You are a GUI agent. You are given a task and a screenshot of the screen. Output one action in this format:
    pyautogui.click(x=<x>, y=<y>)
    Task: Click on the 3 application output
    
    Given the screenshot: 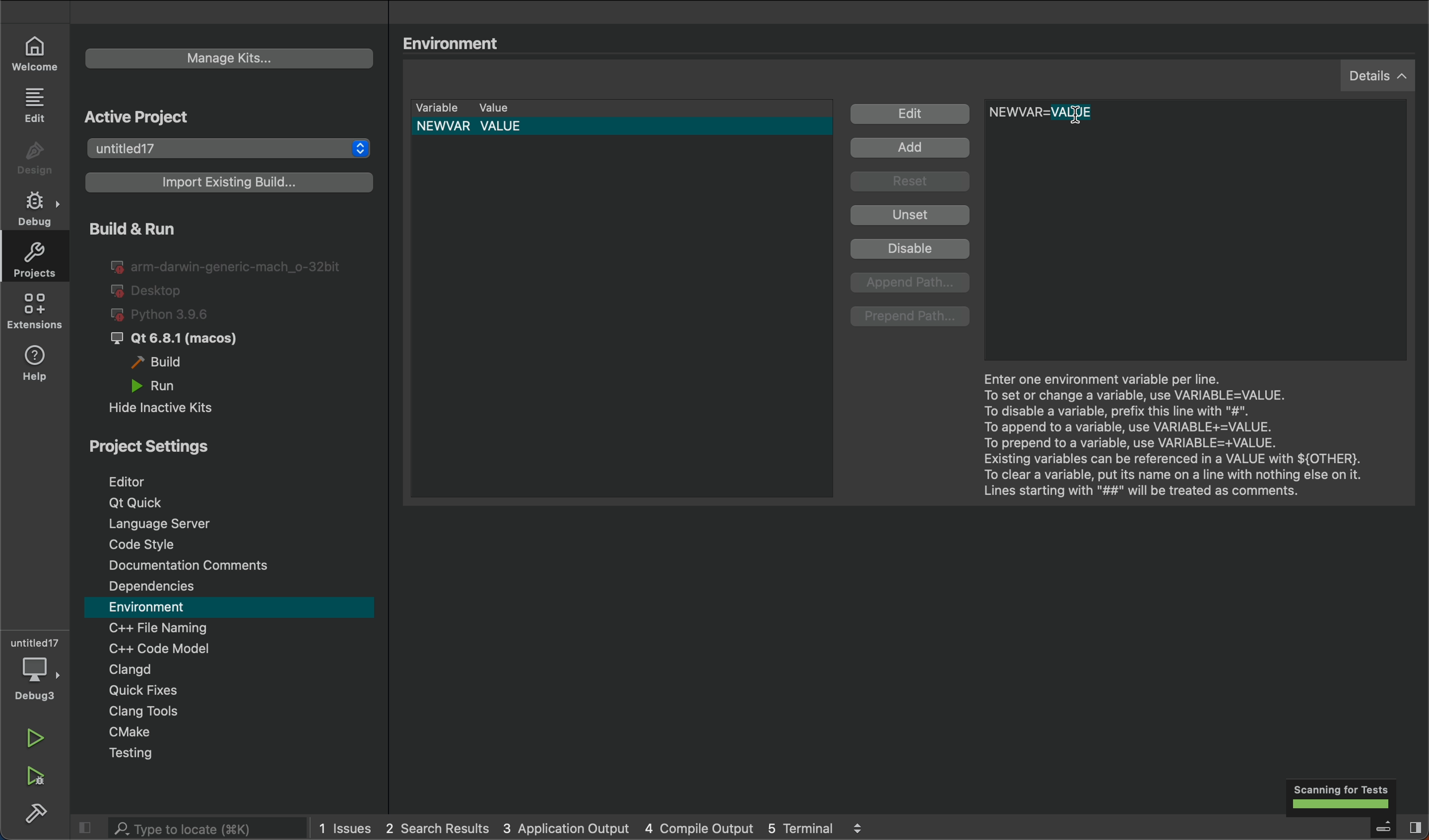 What is the action you would take?
    pyautogui.click(x=565, y=828)
    